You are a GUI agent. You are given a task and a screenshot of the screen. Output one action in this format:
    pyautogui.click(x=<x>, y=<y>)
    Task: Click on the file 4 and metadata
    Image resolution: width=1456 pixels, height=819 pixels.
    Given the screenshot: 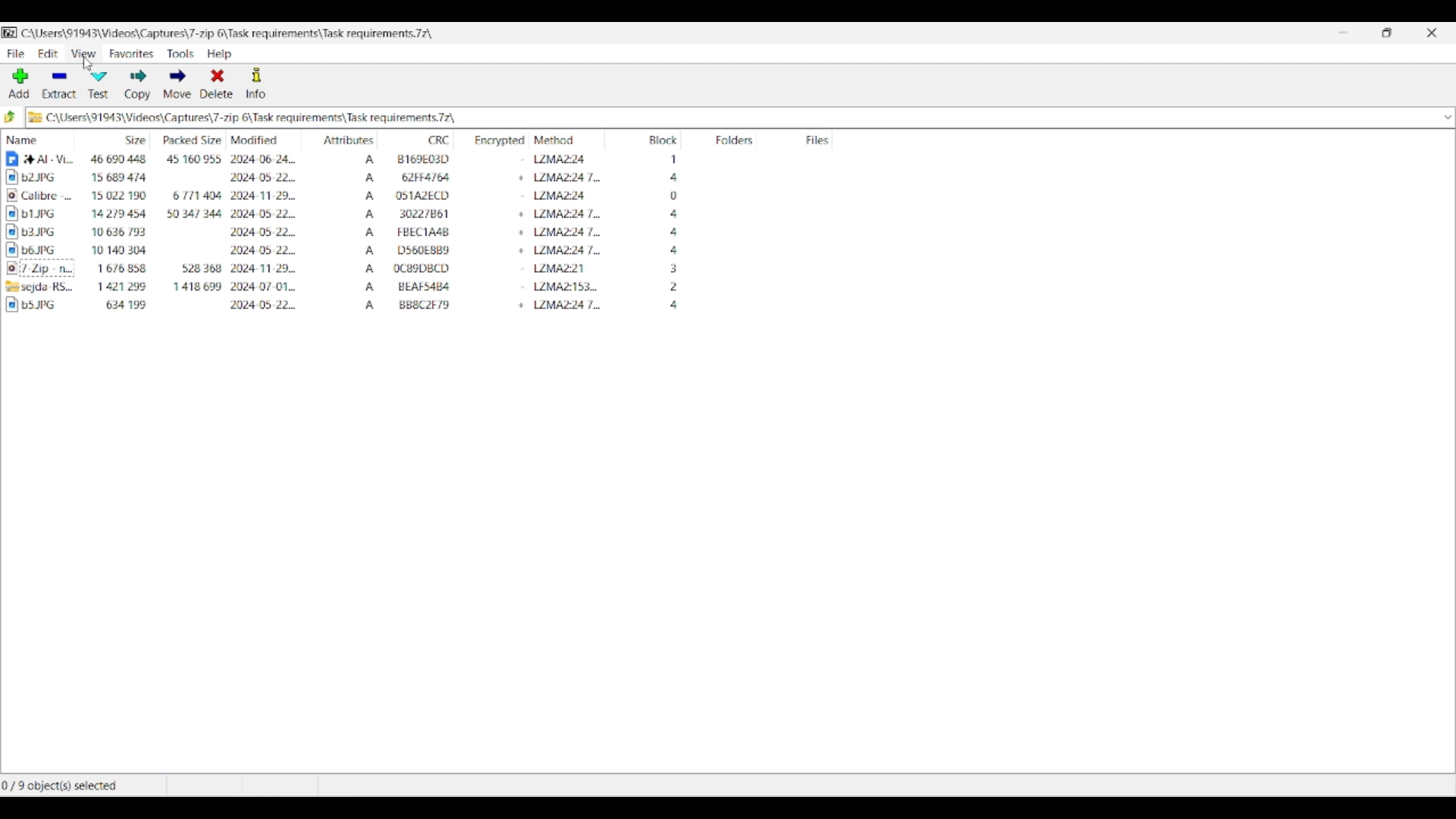 What is the action you would take?
    pyautogui.click(x=417, y=214)
    